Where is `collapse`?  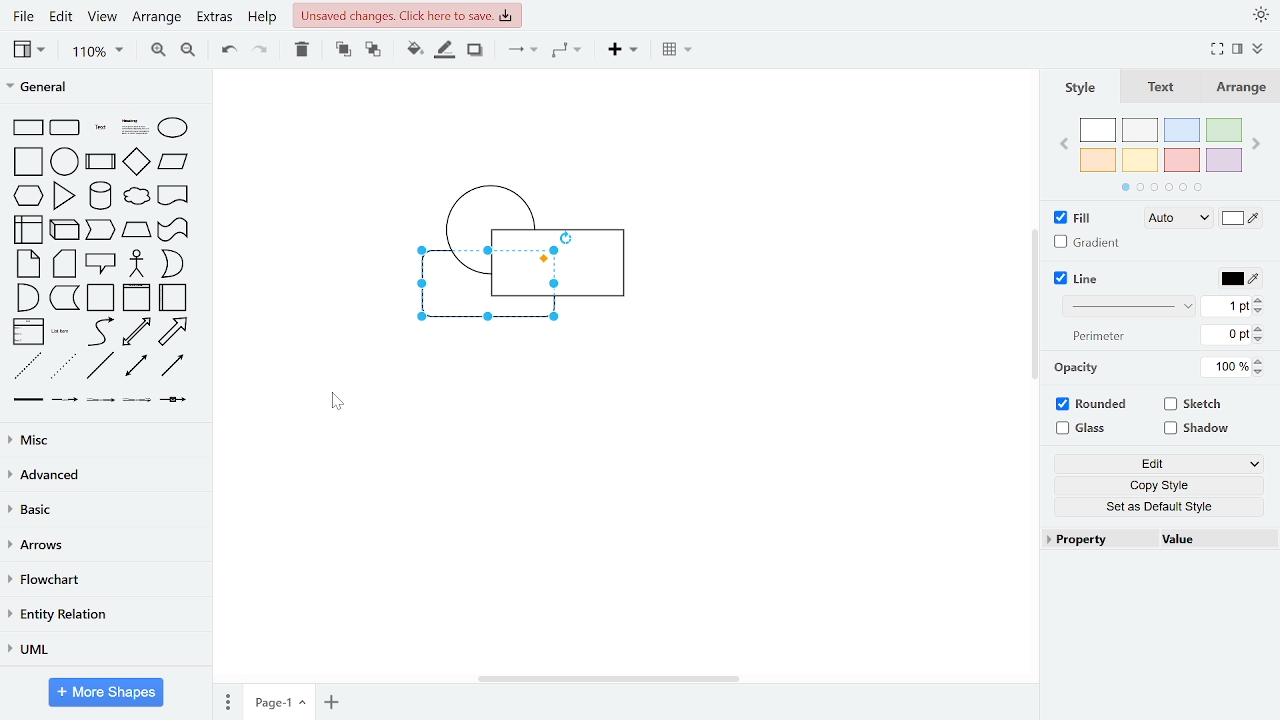
collapse is located at coordinates (1261, 47).